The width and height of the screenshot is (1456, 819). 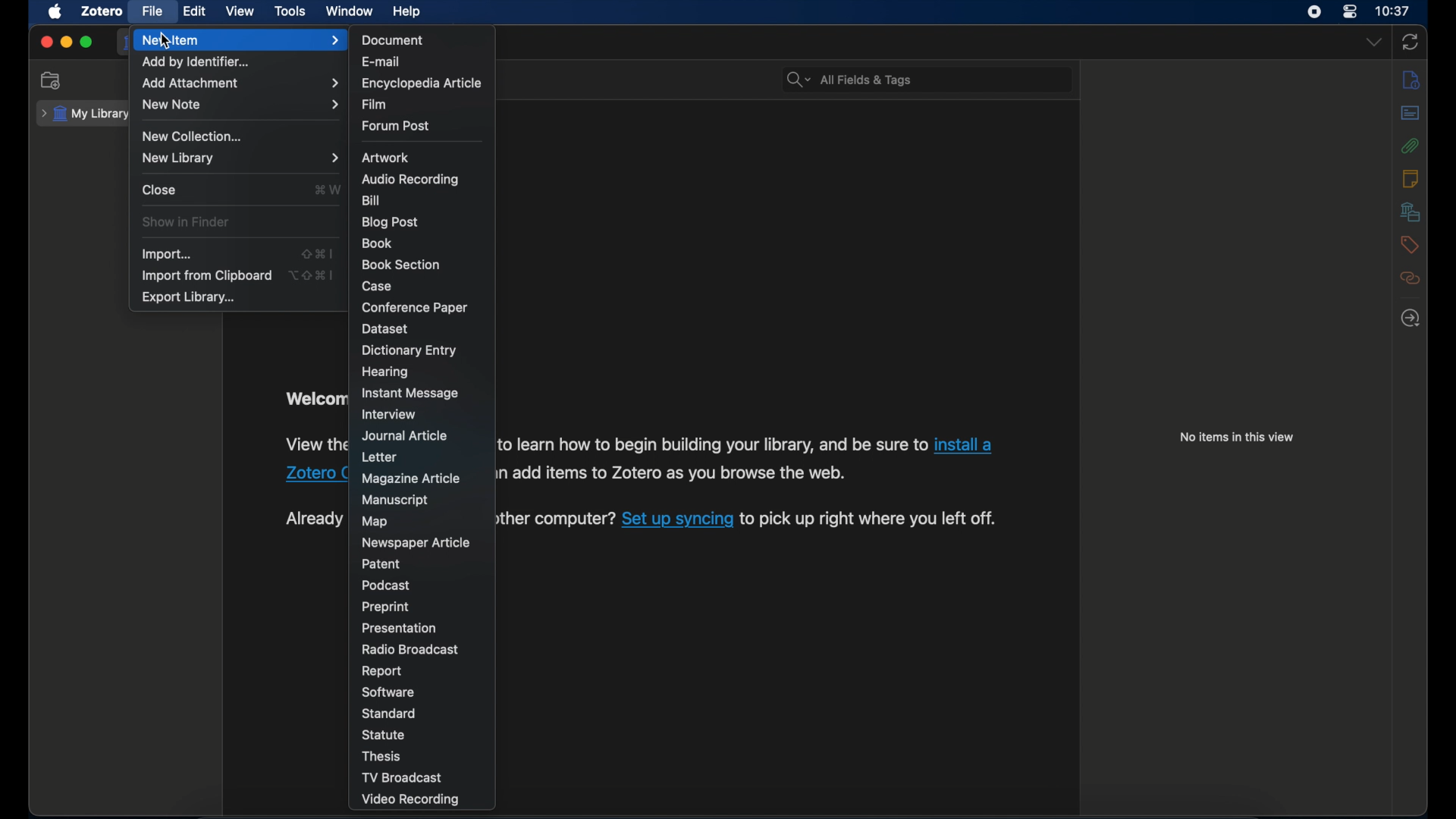 What do you see at coordinates (196, 62) in the screenshot?
I see `add by identifier` at bounding box center [196, 62].